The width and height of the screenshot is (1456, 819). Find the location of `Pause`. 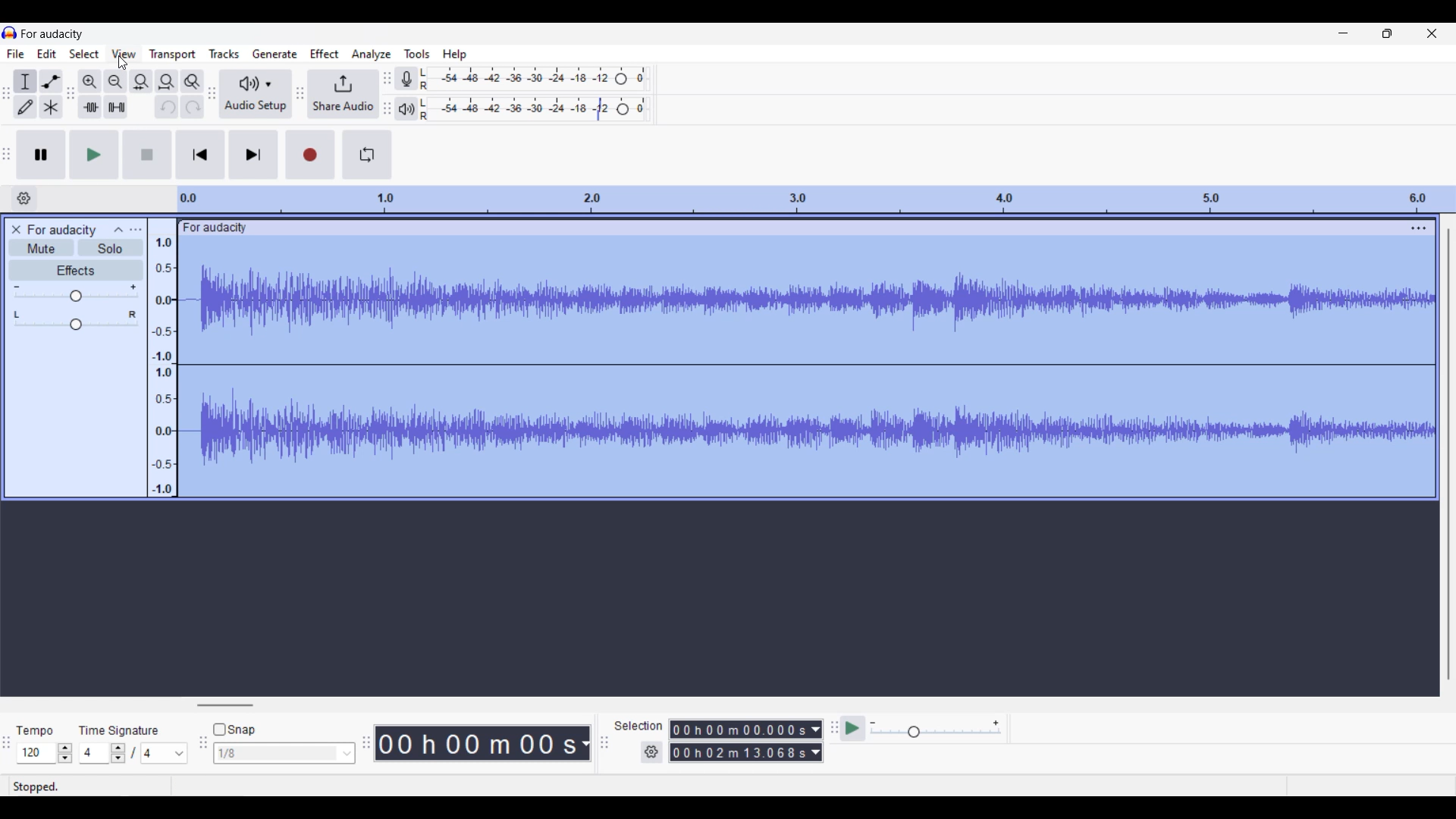

Pause is located at coordinates (42, 155).